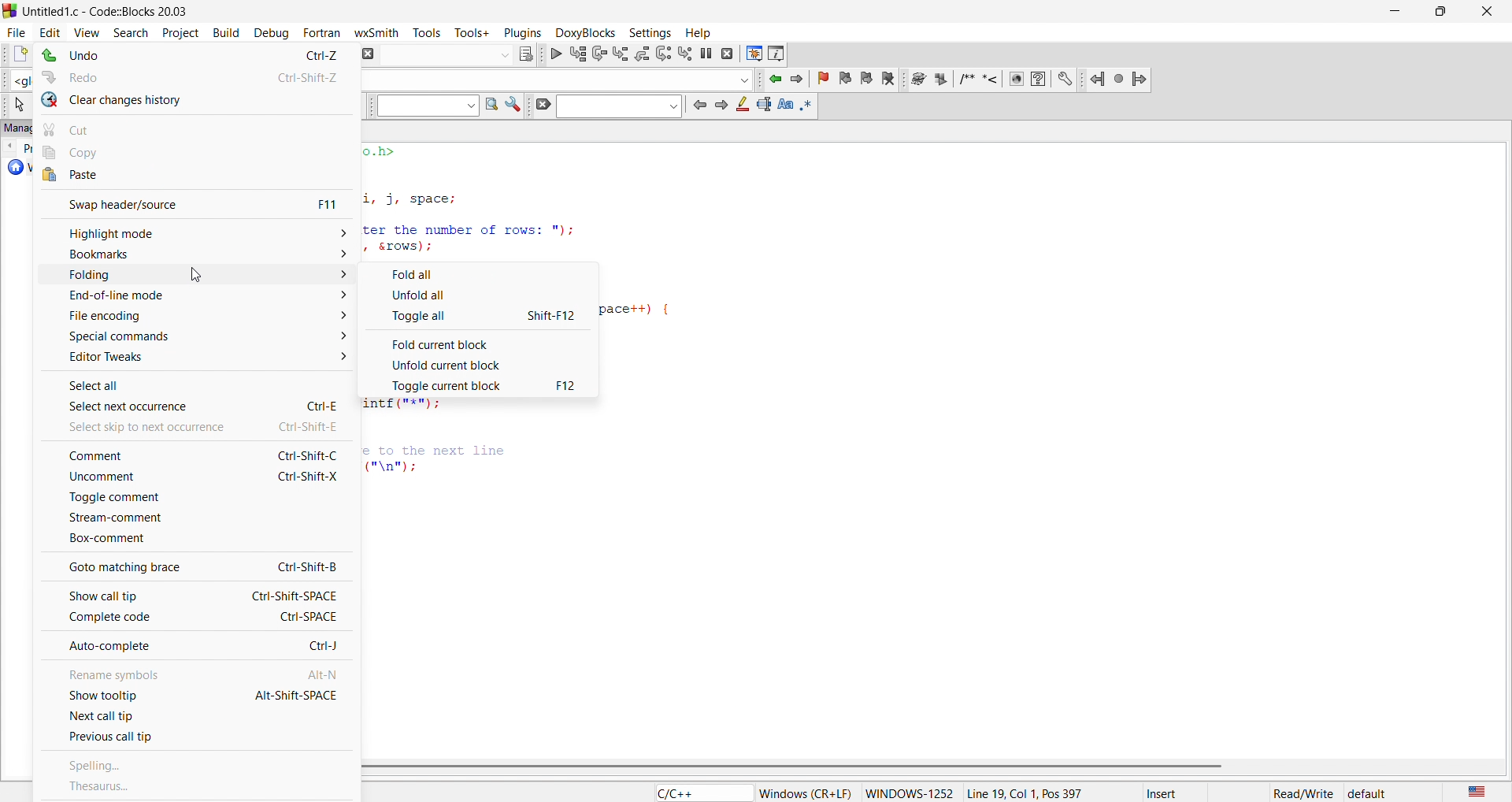 The image size is (1512, 802). I want to click on goto matching brace, so click(193, 566).